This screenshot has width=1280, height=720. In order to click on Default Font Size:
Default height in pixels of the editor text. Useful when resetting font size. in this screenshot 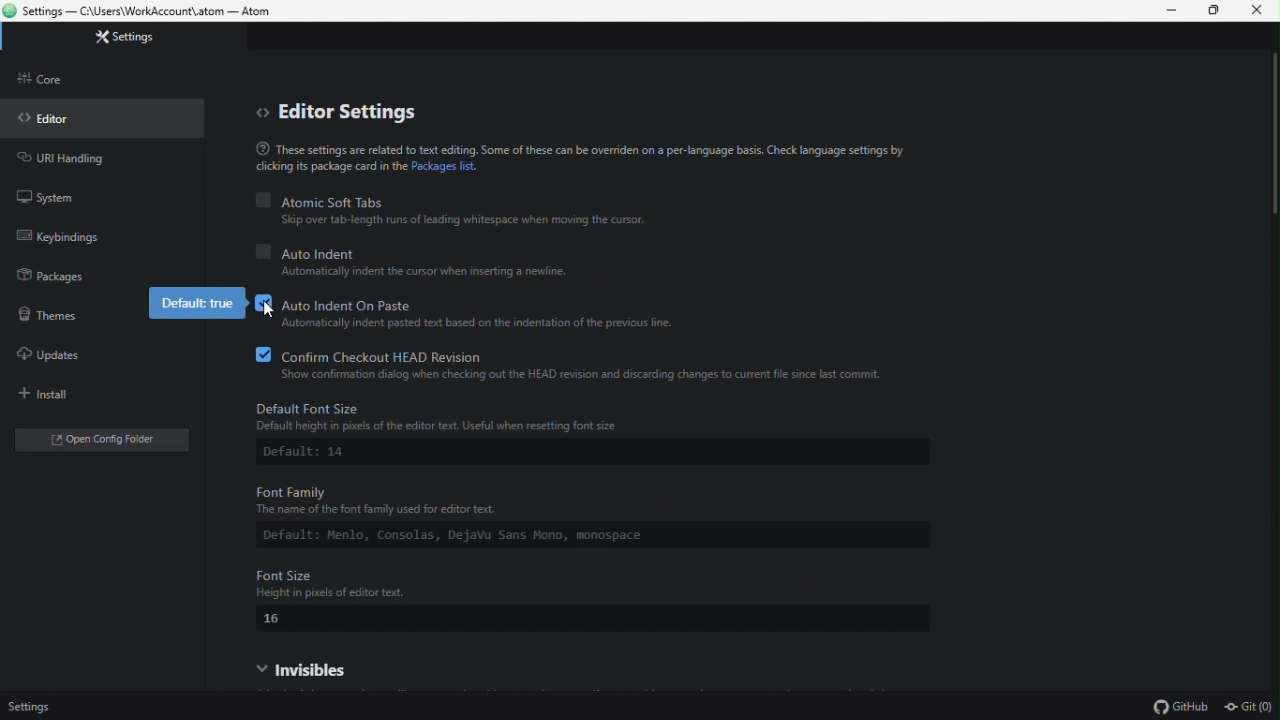, I will do `click(579, 416)`.